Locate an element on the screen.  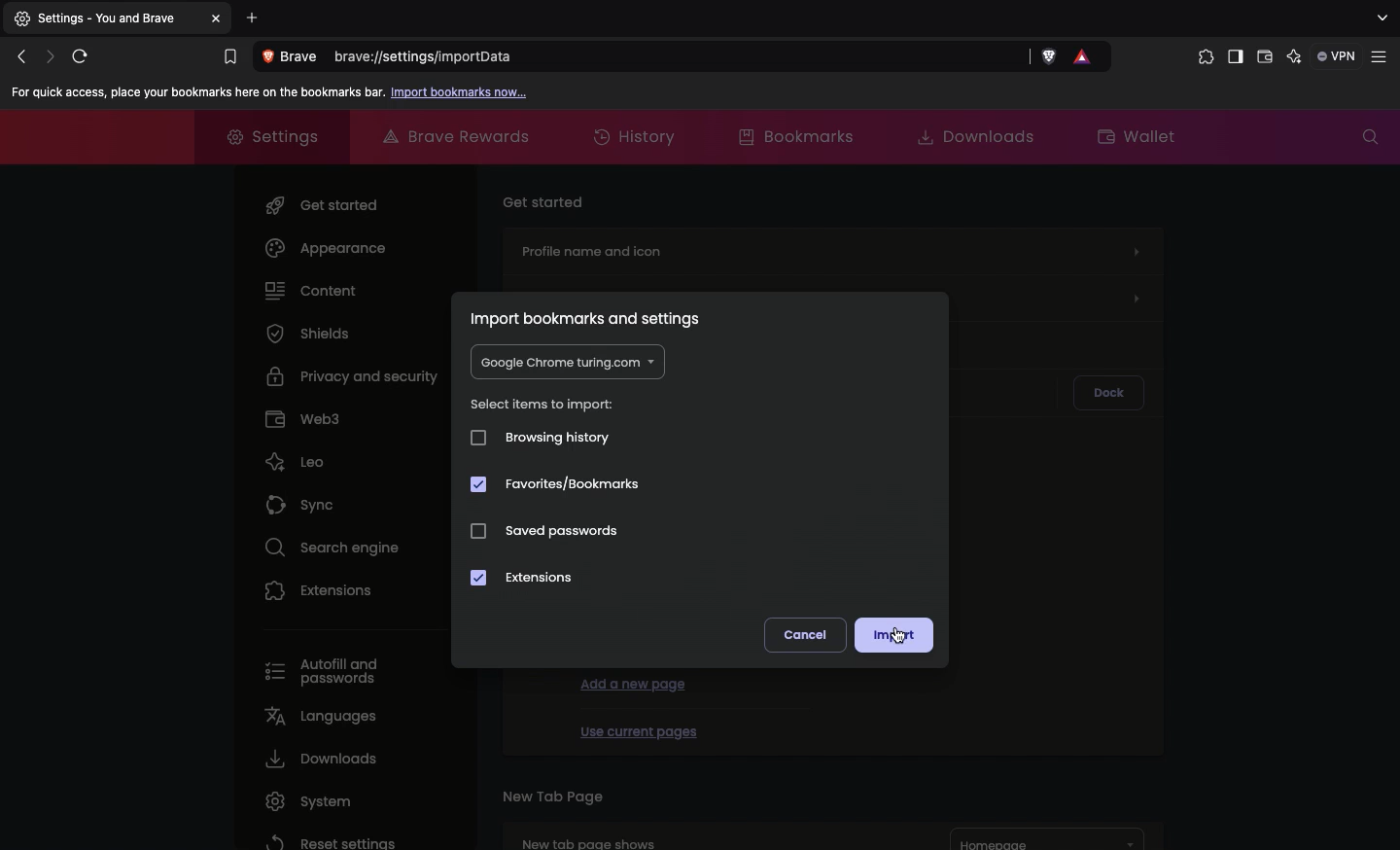
Languages is located at coordinates (318, 715).